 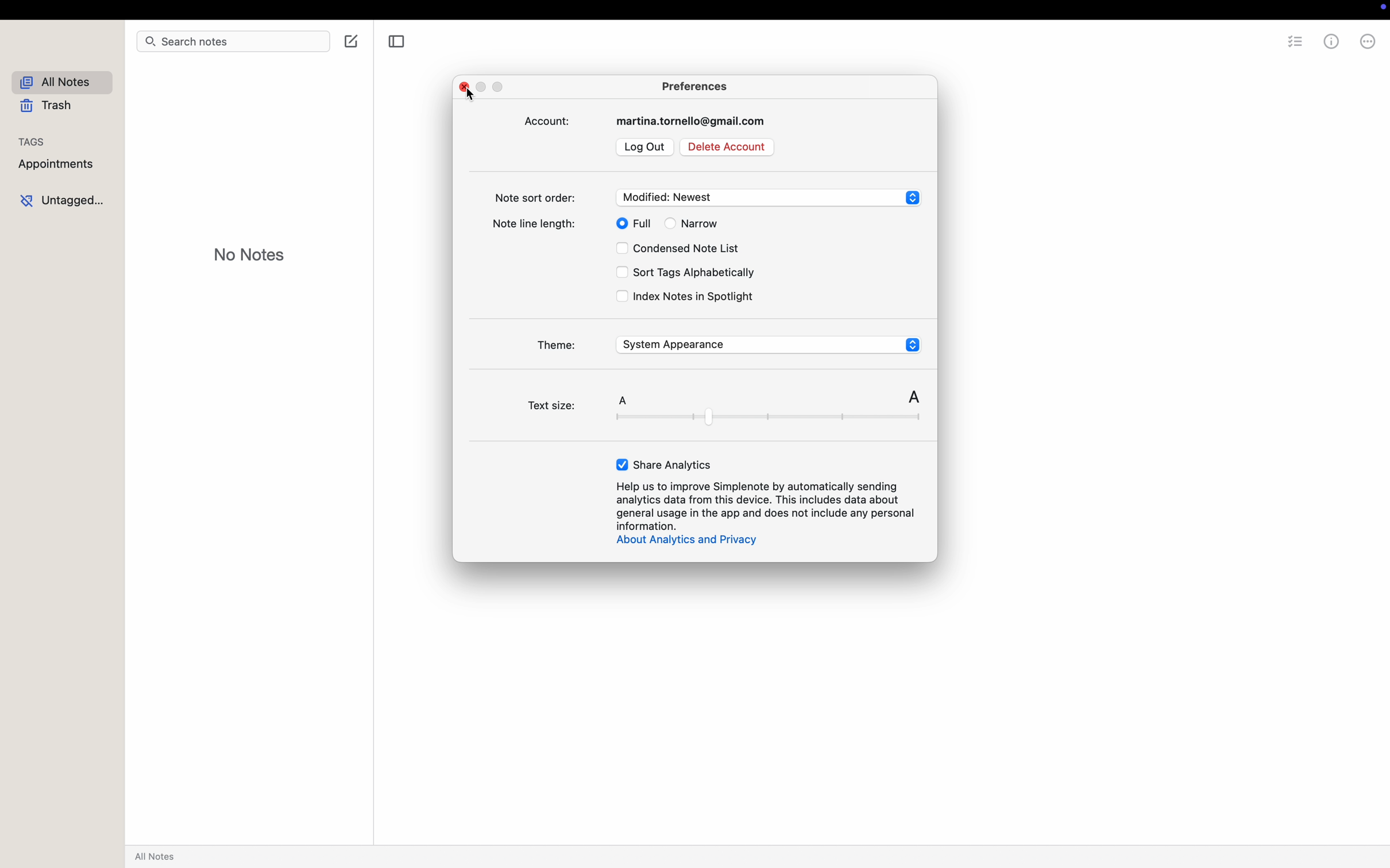 I want to click on cursor, so click(x=473, y=99).